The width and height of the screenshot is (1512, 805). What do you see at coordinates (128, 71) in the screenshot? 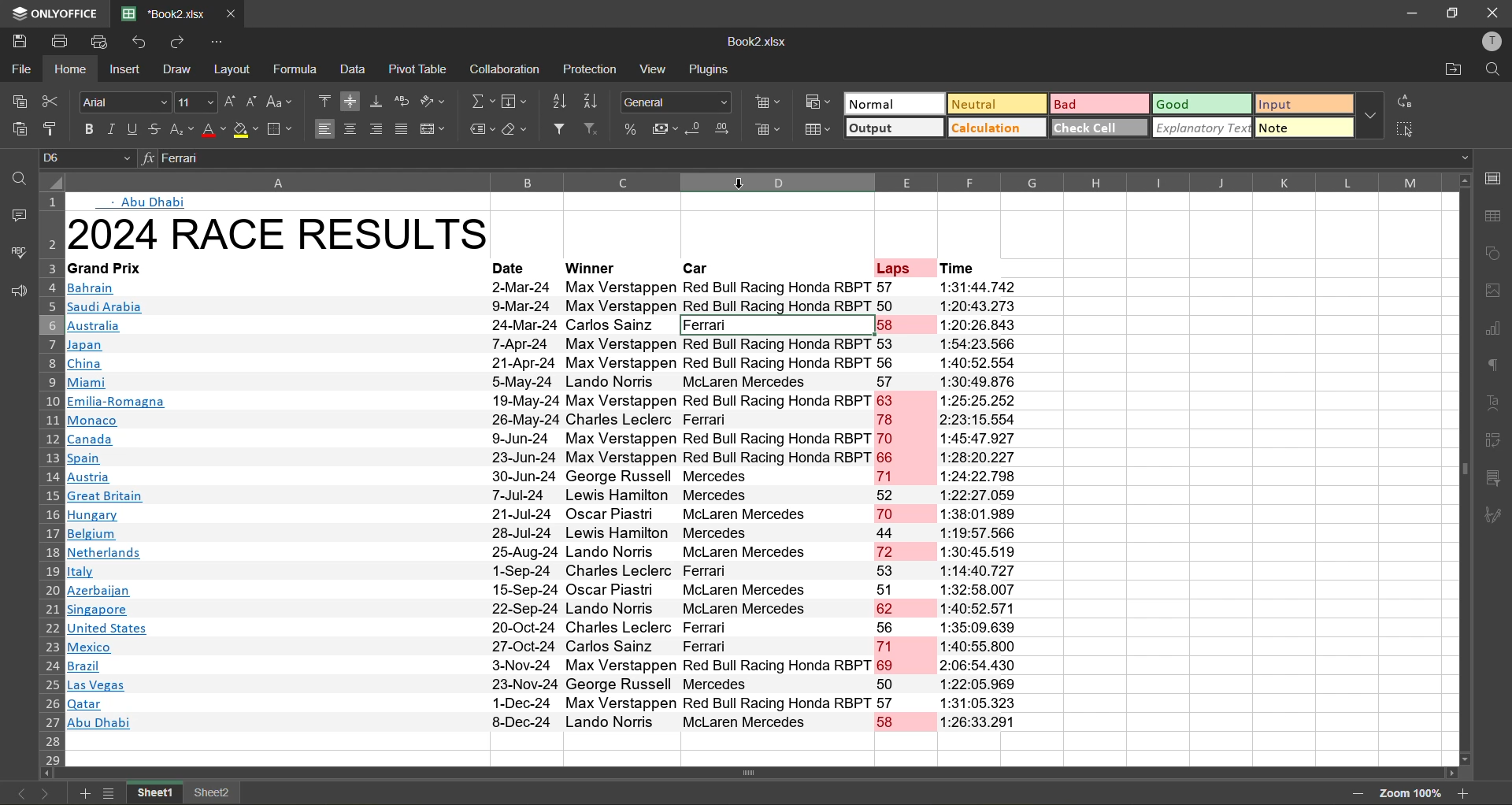
I see `insert` at bounding box center [128, 71].